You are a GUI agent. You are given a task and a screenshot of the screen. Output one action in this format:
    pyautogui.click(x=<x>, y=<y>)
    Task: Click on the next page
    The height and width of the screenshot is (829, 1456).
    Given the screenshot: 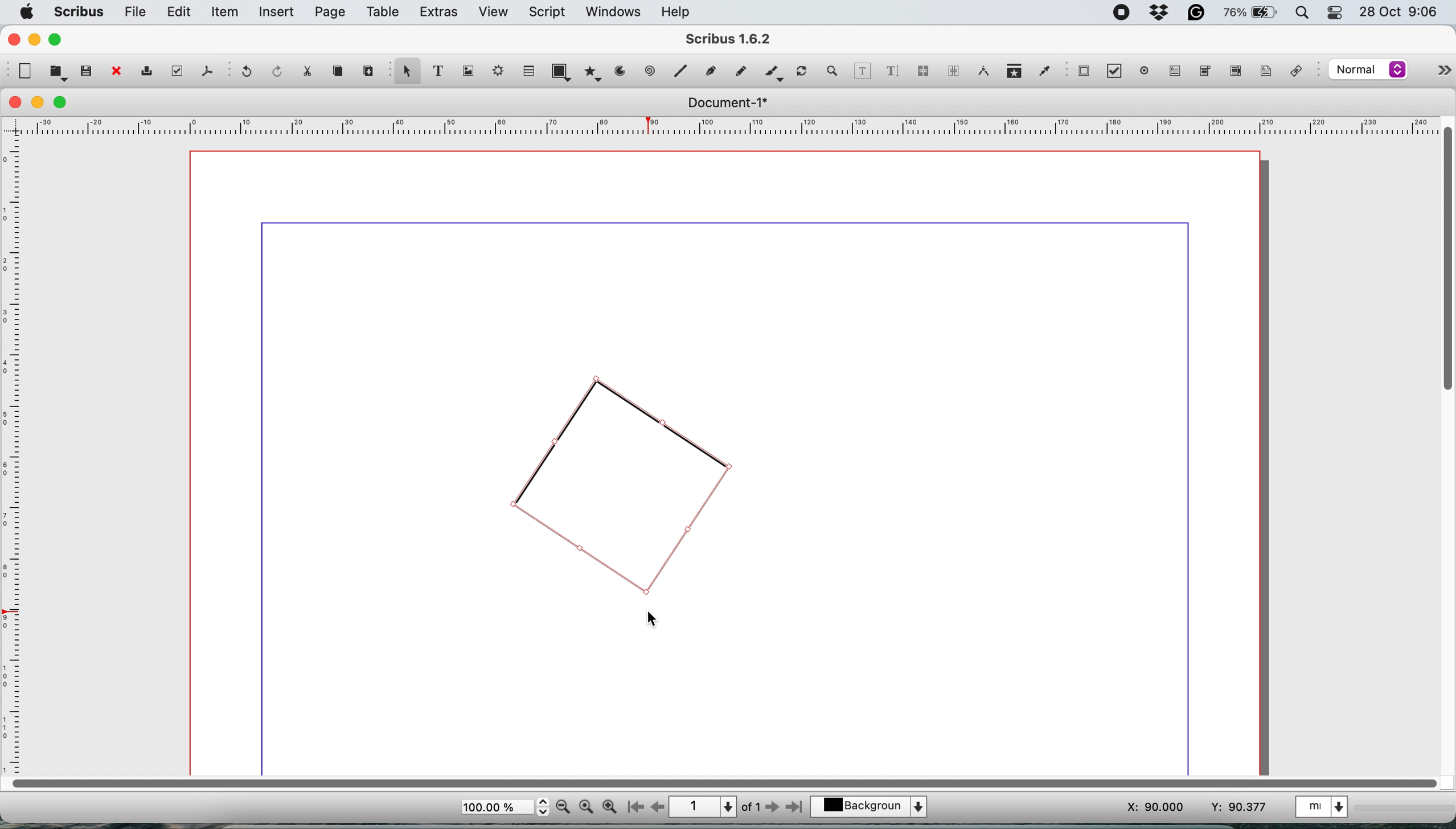 What is the action you would take?
    pyautogui.click(x=775, y=809)
    